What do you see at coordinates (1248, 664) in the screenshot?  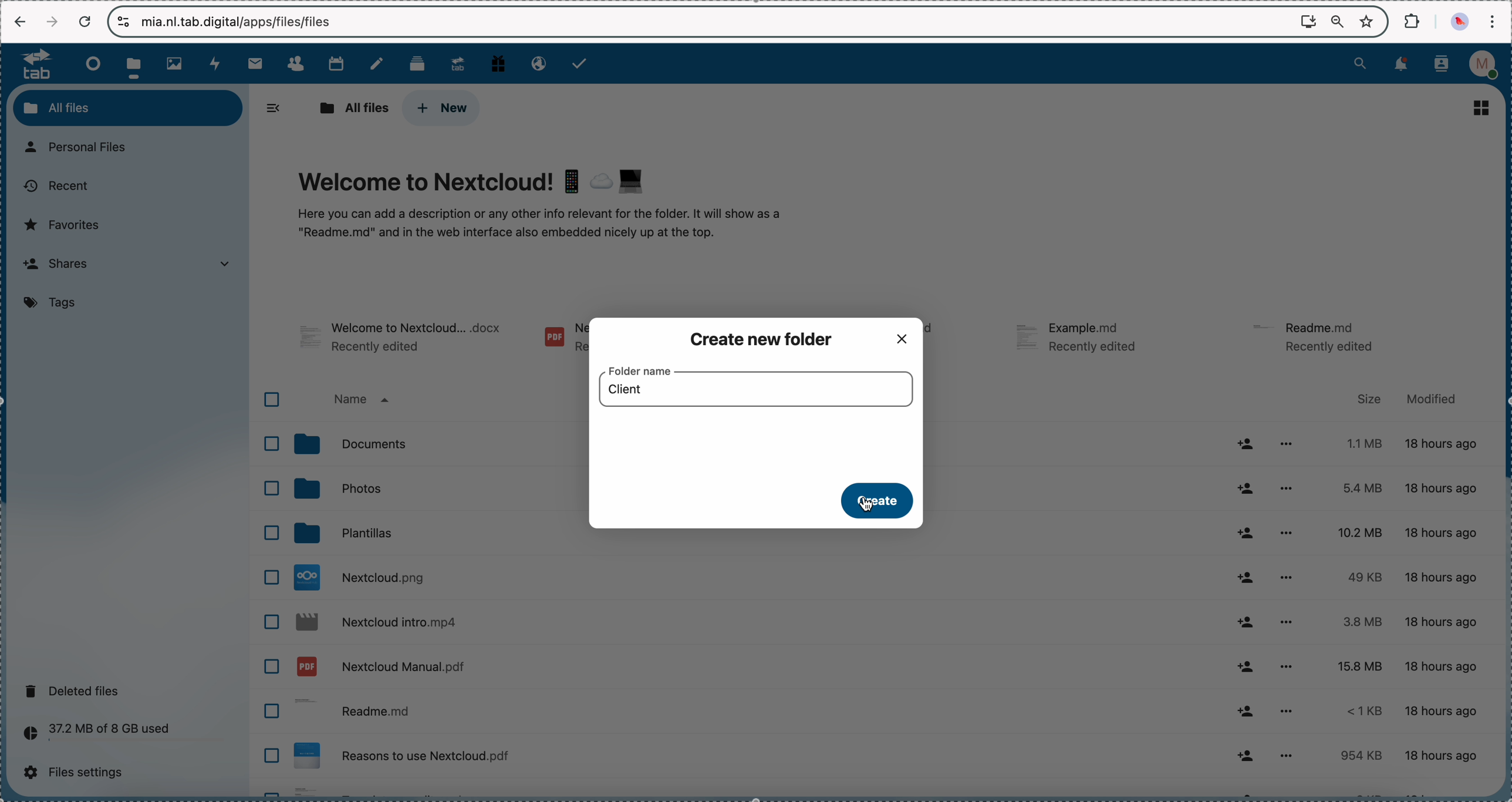 I see `share` at bounding box center [1248, 664].